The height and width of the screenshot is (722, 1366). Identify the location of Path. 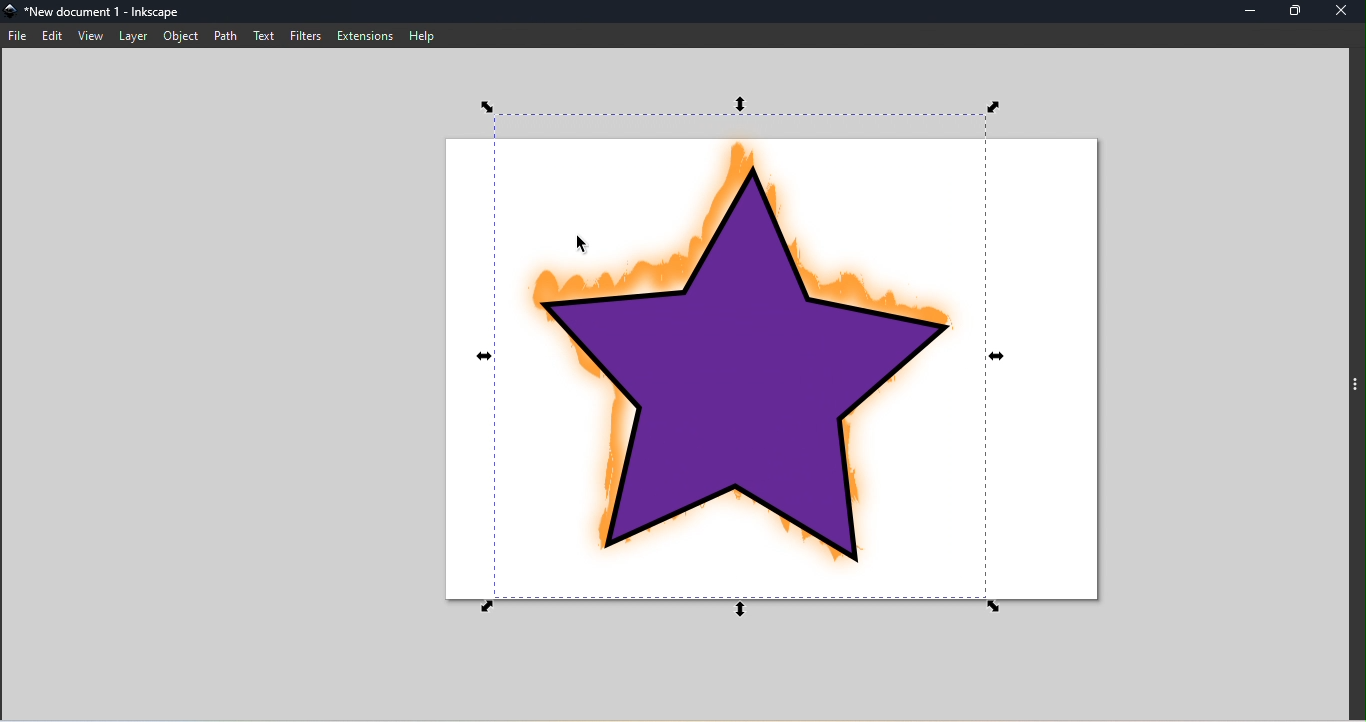
(225, 35).